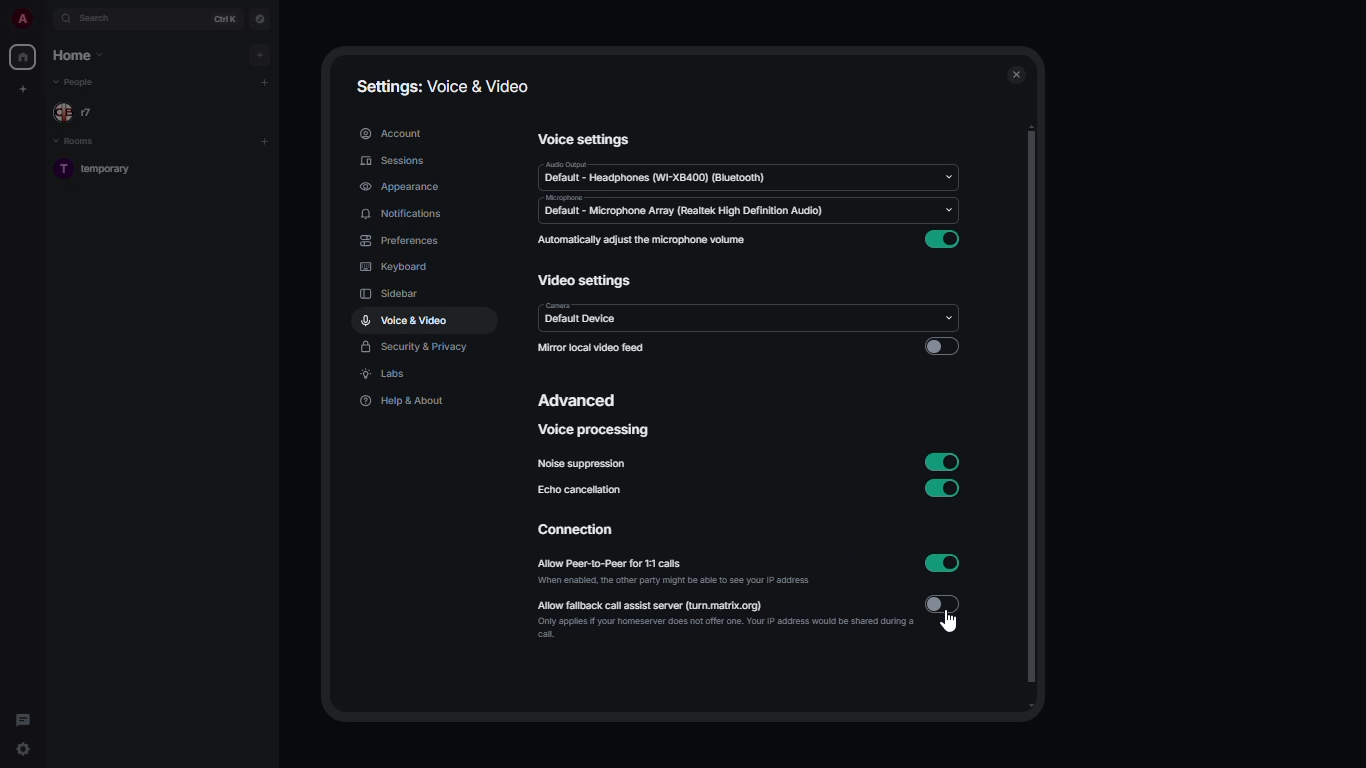 This screenshot has height=768, width=1366. What do you see at coordinates (392, 264) in the screenshot?
I see `keyboard` at bounding box center [392, 264].